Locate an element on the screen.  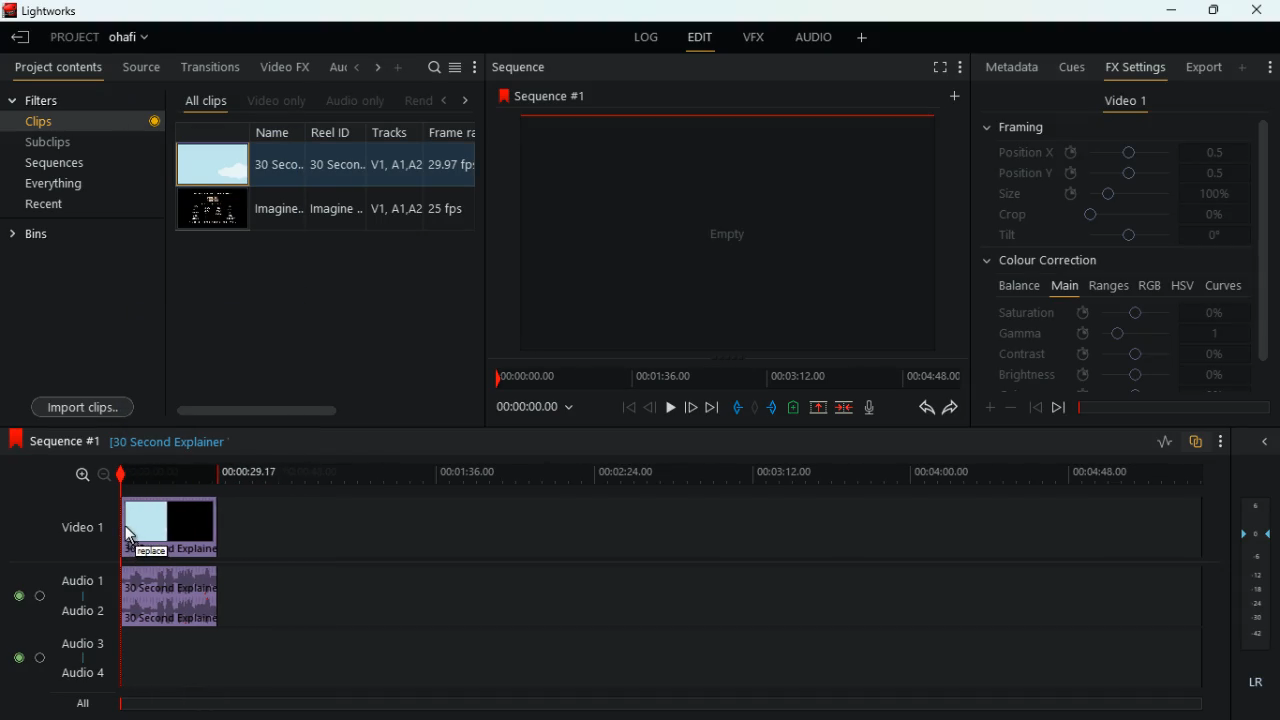
clips is located at coordinates (87, 121).